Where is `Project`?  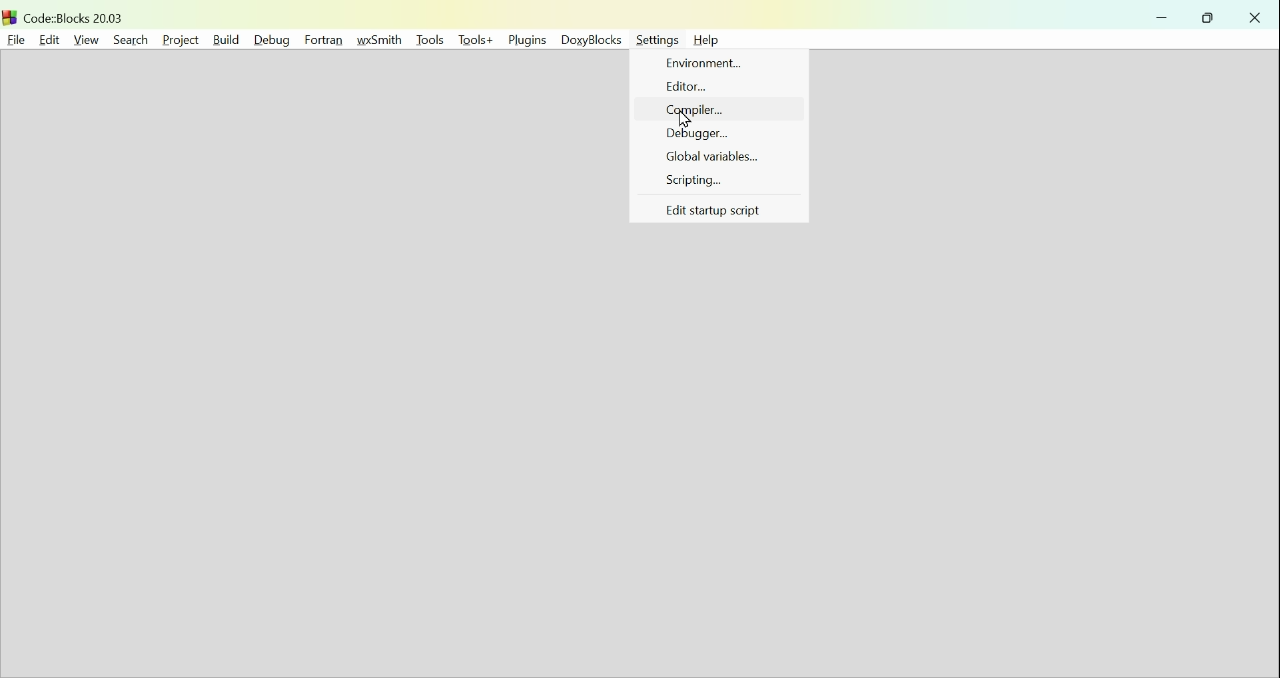 Project is located at coordinates (179, 39).